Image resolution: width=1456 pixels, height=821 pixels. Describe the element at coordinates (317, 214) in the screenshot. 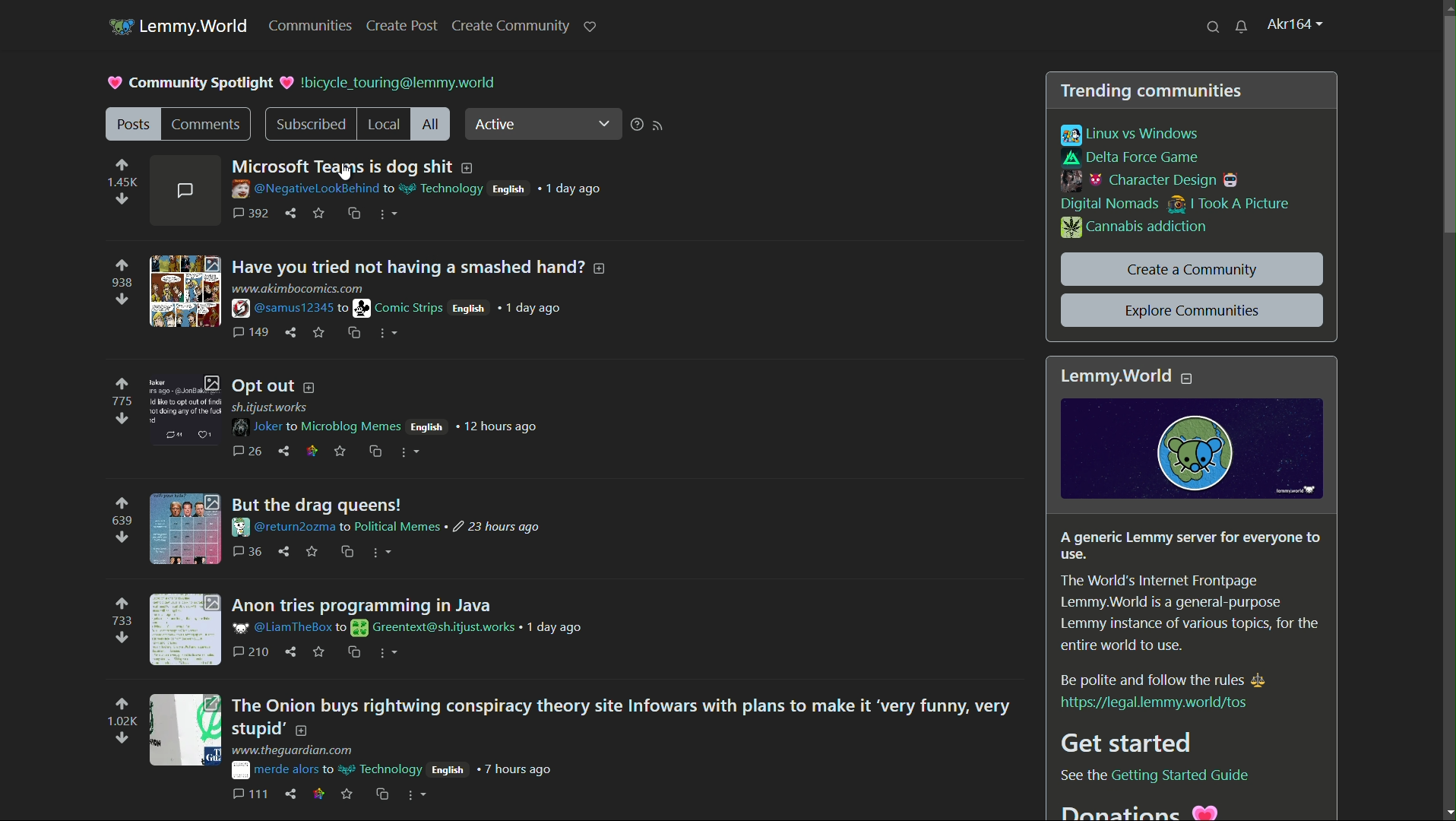

I see `save` at that location.